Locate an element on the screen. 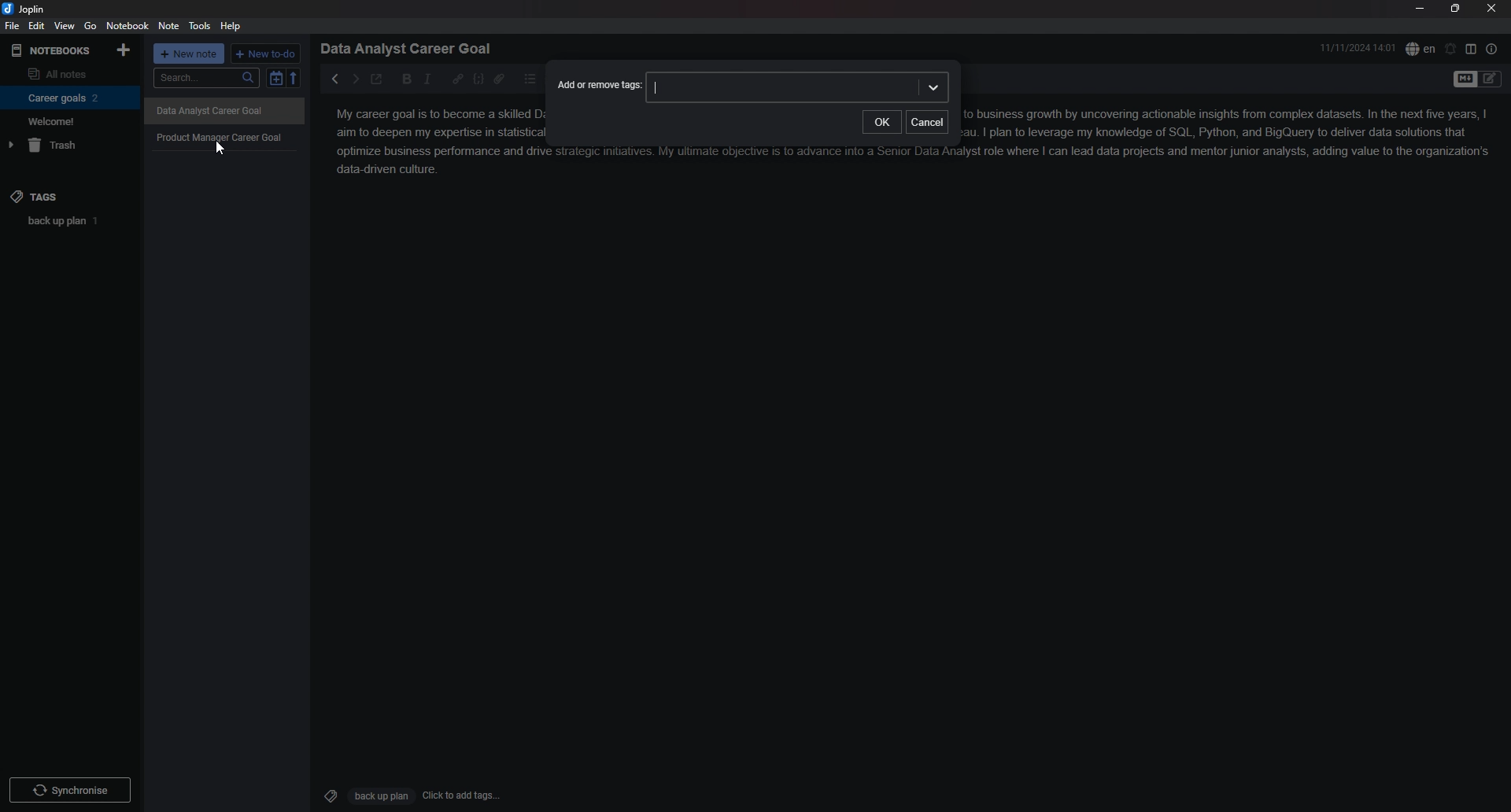  back up plan 1 is located at coordinates (72, 220).